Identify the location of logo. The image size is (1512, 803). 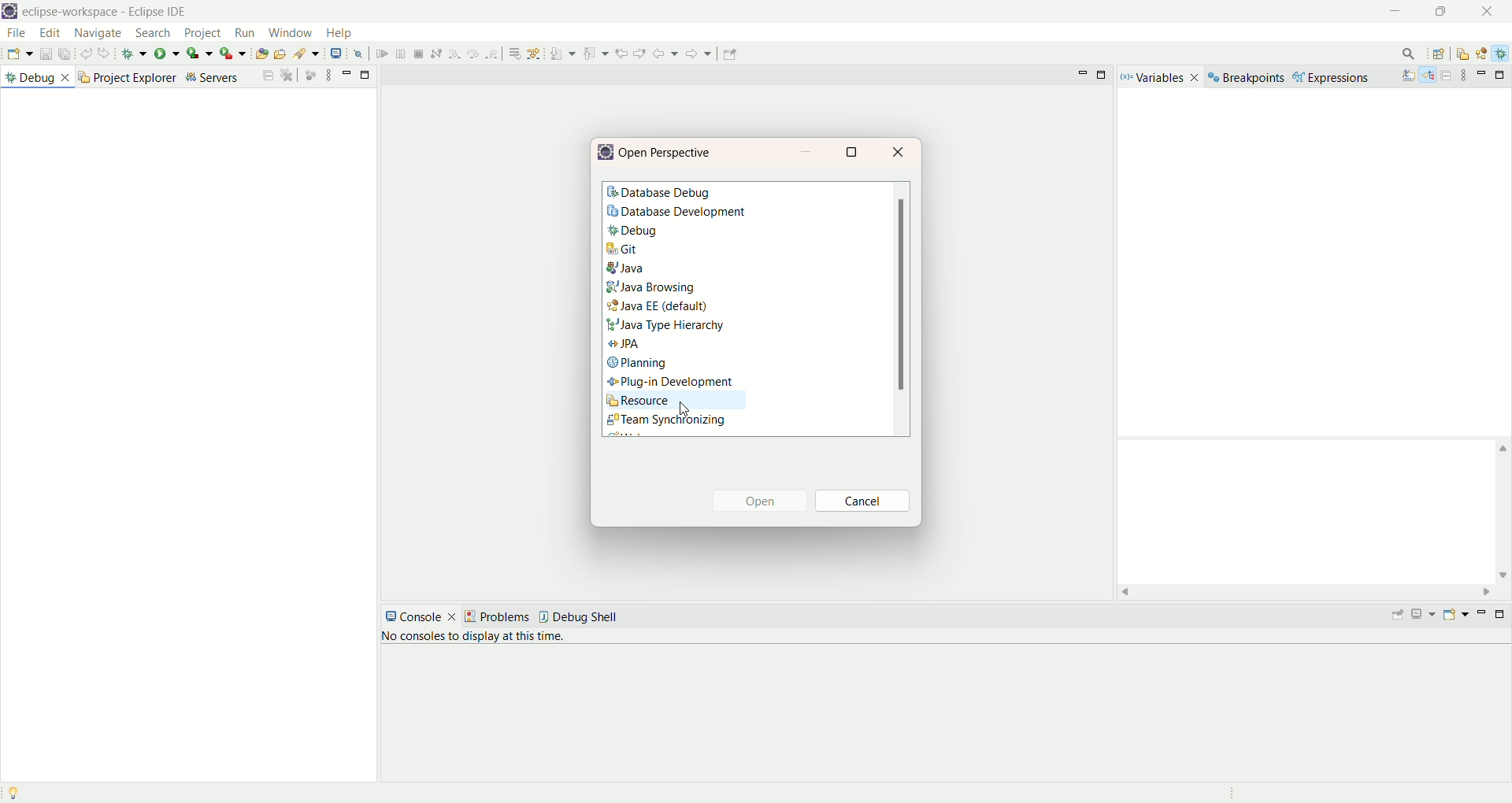
(607, 153).